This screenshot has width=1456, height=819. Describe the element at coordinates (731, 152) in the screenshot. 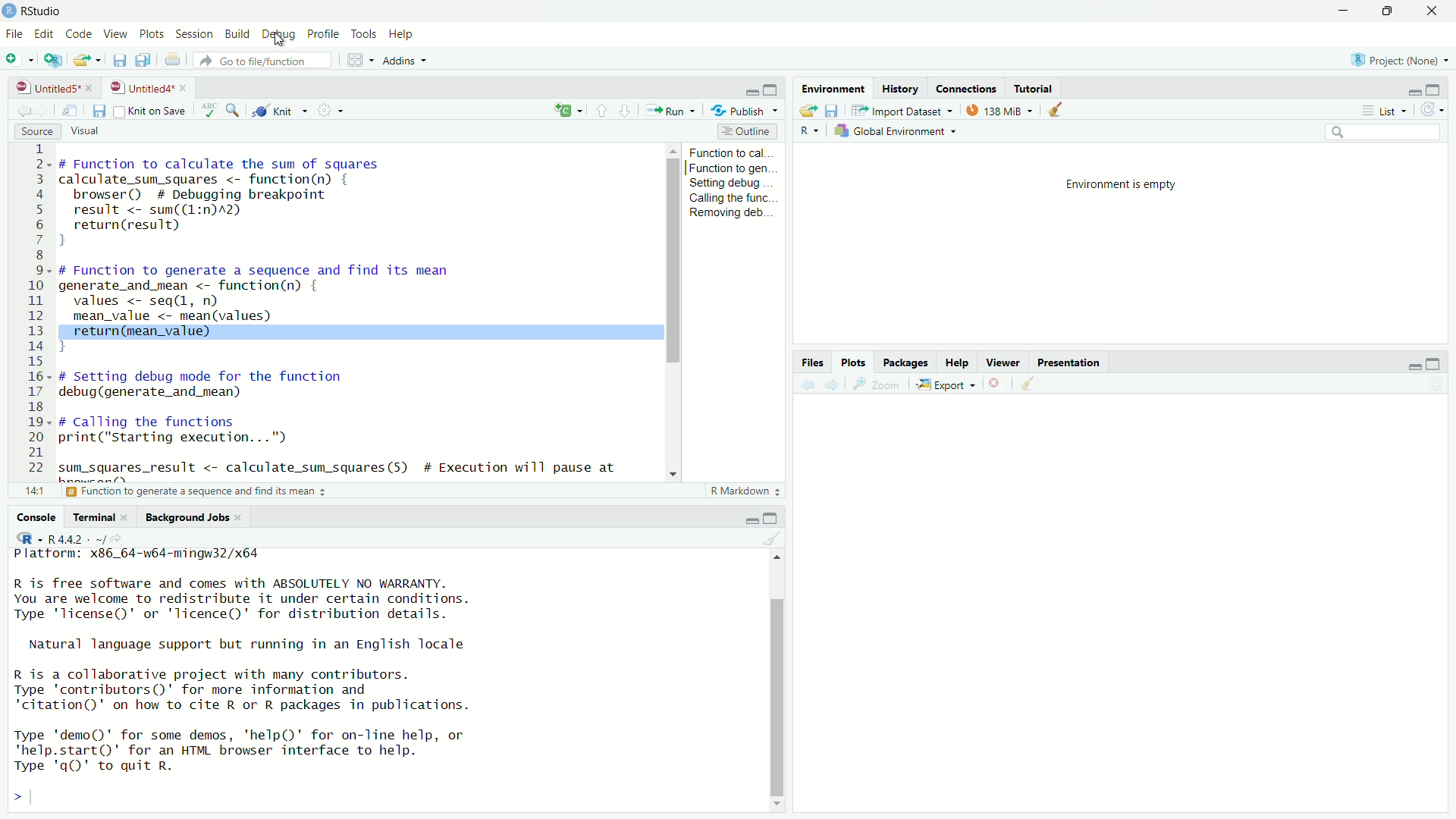

I see `function to cal...` at that location.